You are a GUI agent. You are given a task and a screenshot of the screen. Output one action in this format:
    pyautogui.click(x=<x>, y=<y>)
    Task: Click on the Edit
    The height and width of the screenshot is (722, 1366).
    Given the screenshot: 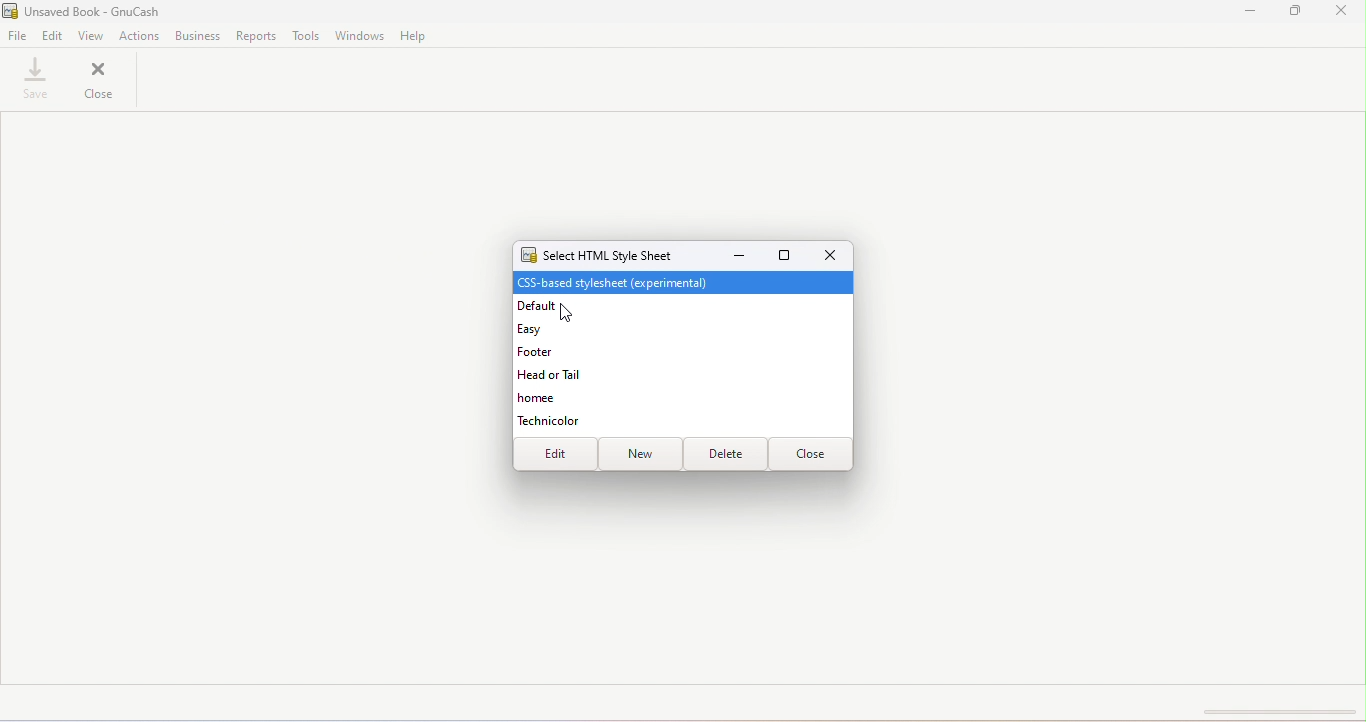 What is the action you would take?
    pyautogui.click(x=553, y=454)
    